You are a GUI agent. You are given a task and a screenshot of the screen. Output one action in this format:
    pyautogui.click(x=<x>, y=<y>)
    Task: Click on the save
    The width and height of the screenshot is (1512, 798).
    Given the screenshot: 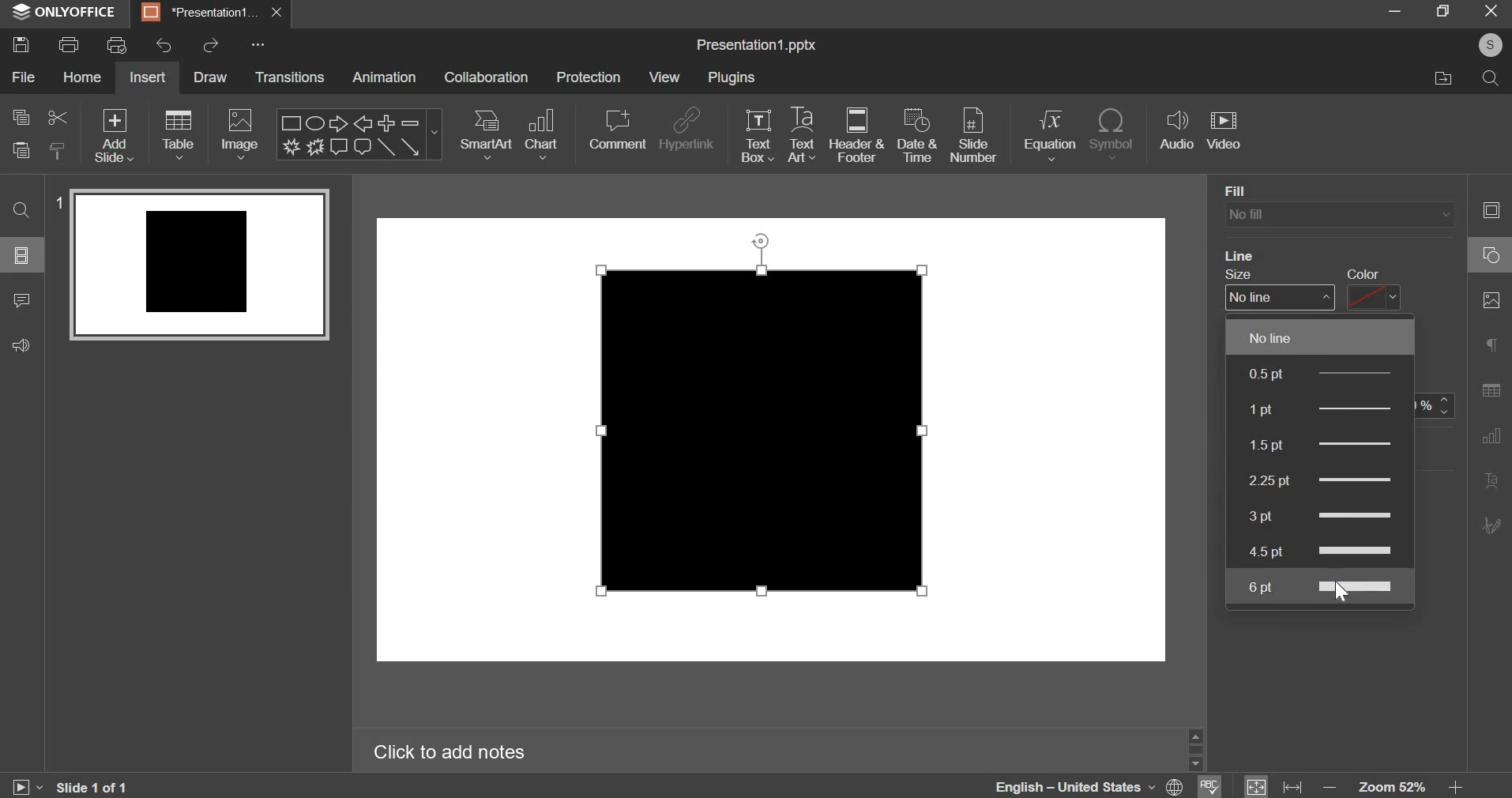 What is the action you would take?
    pyautogui.click(x=22, y=44)
    